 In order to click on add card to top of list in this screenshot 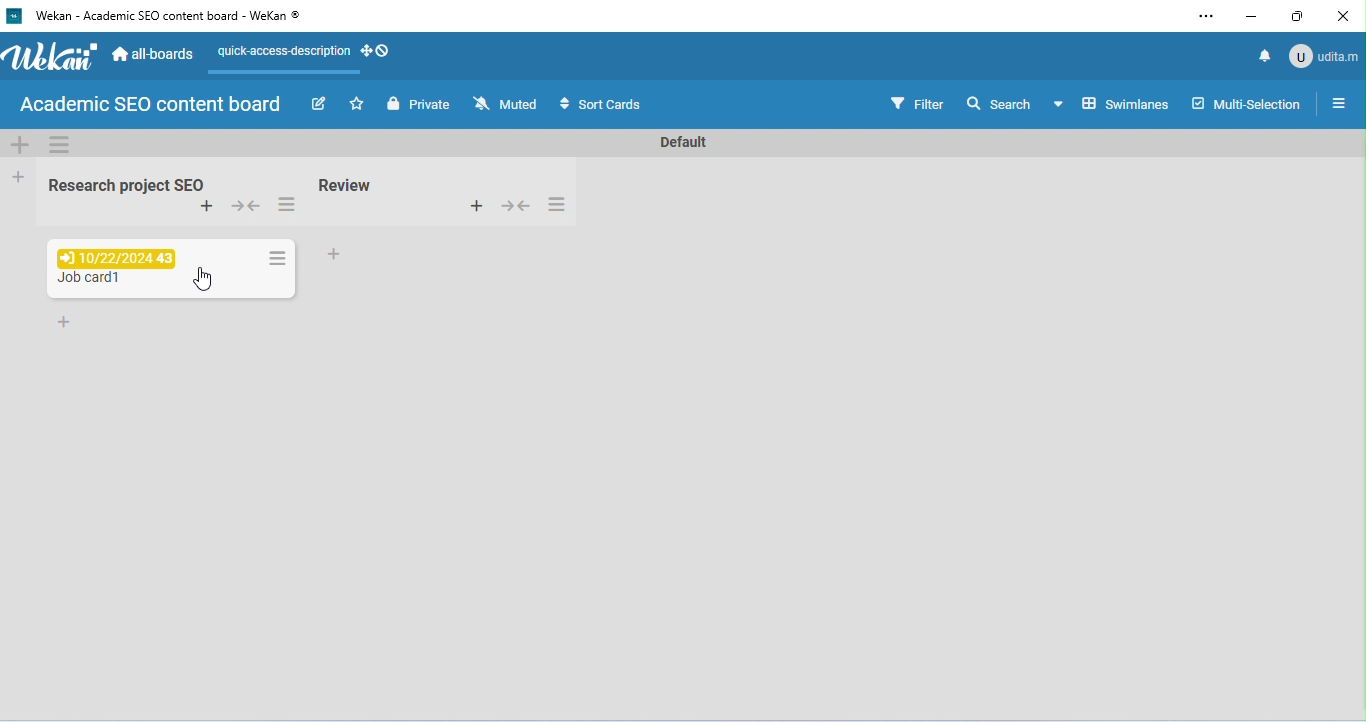, I will do `click(207, 207)`.